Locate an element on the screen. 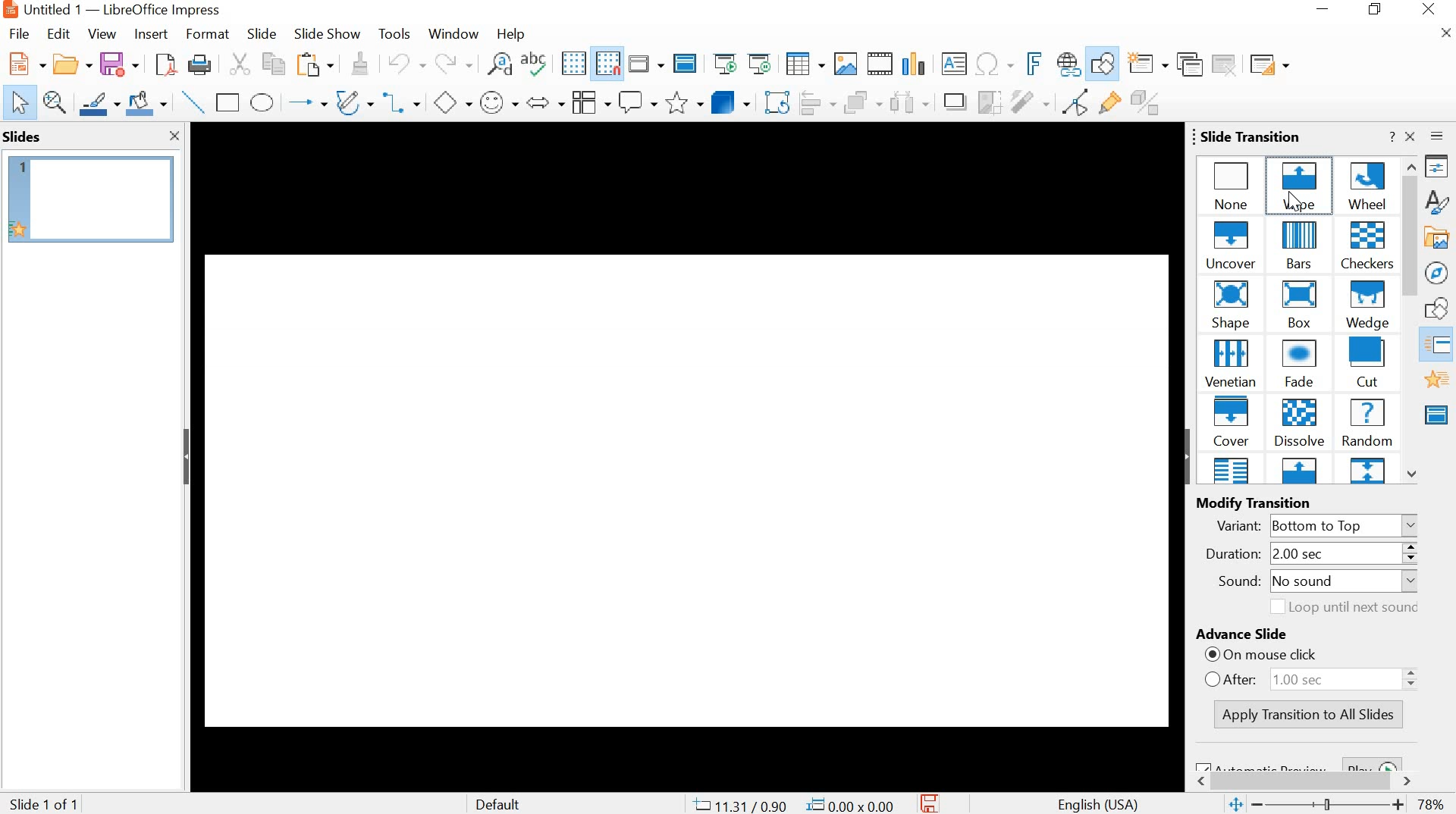 This screenshot has height=814, width=1456. Zoom & Pan is located at coordinates (55, 103).